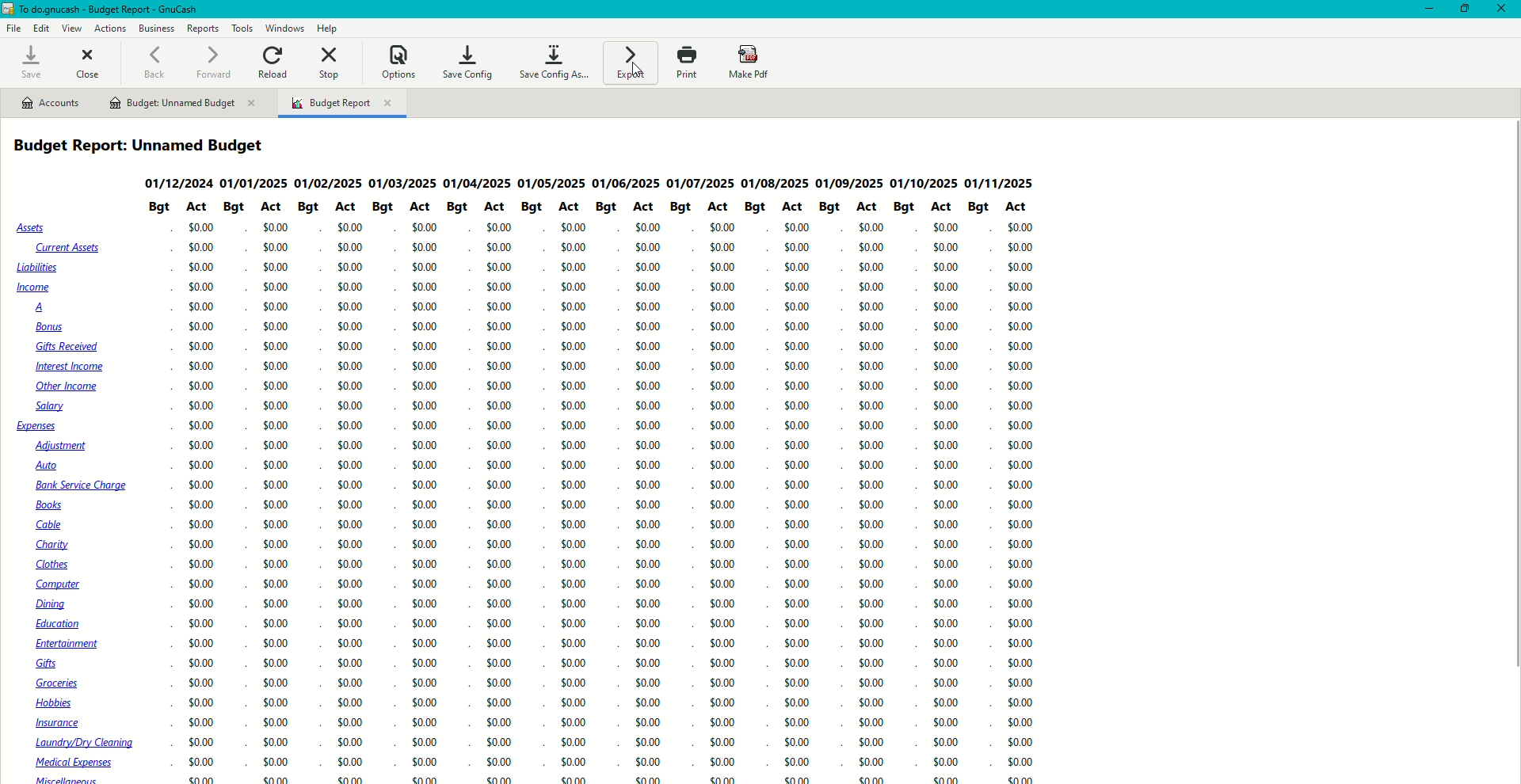 This screenshot has width=1521, height=784. Describe the element at coordinates (177, 185) in the screenshot. I see `01/12/024` at that location.